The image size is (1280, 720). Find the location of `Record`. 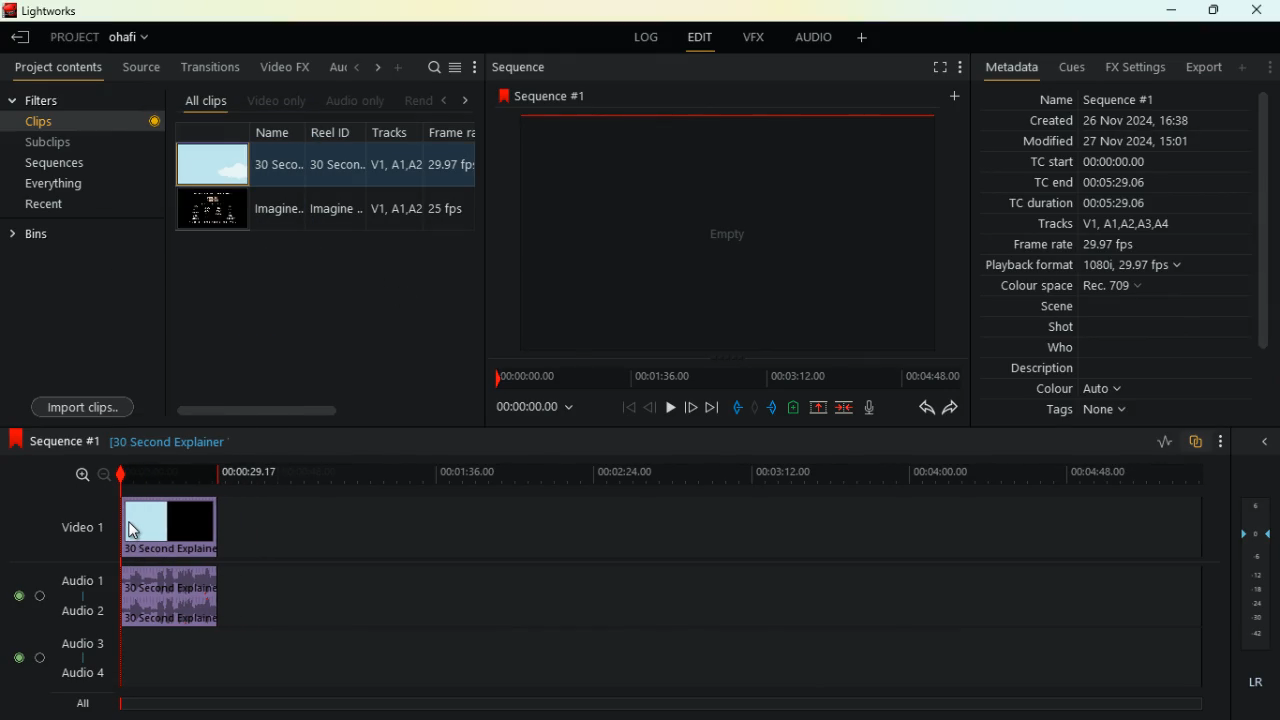

Record is located at coordinates (156, 121).